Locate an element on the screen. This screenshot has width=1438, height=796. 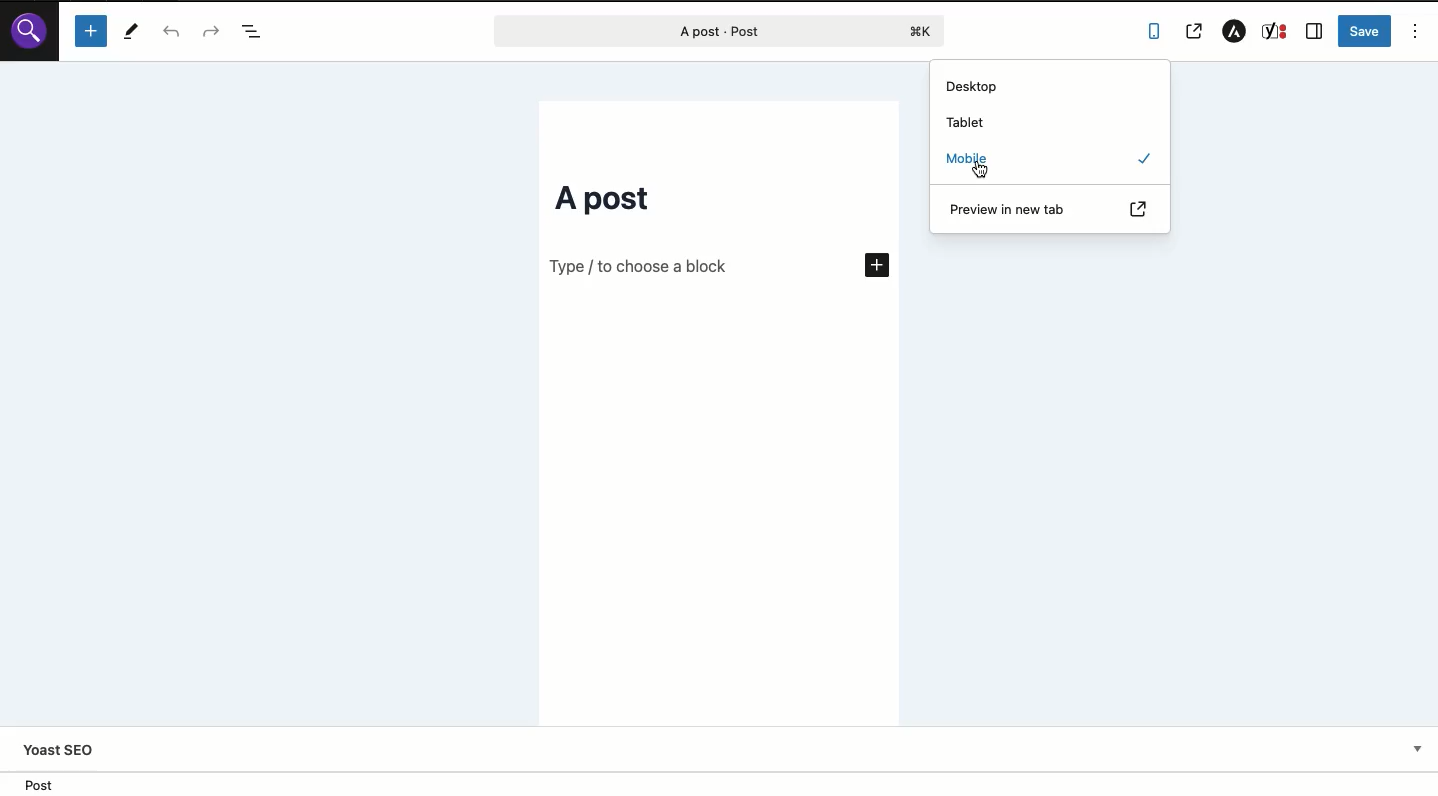
Yoast is located at coordinates (1275, 33).